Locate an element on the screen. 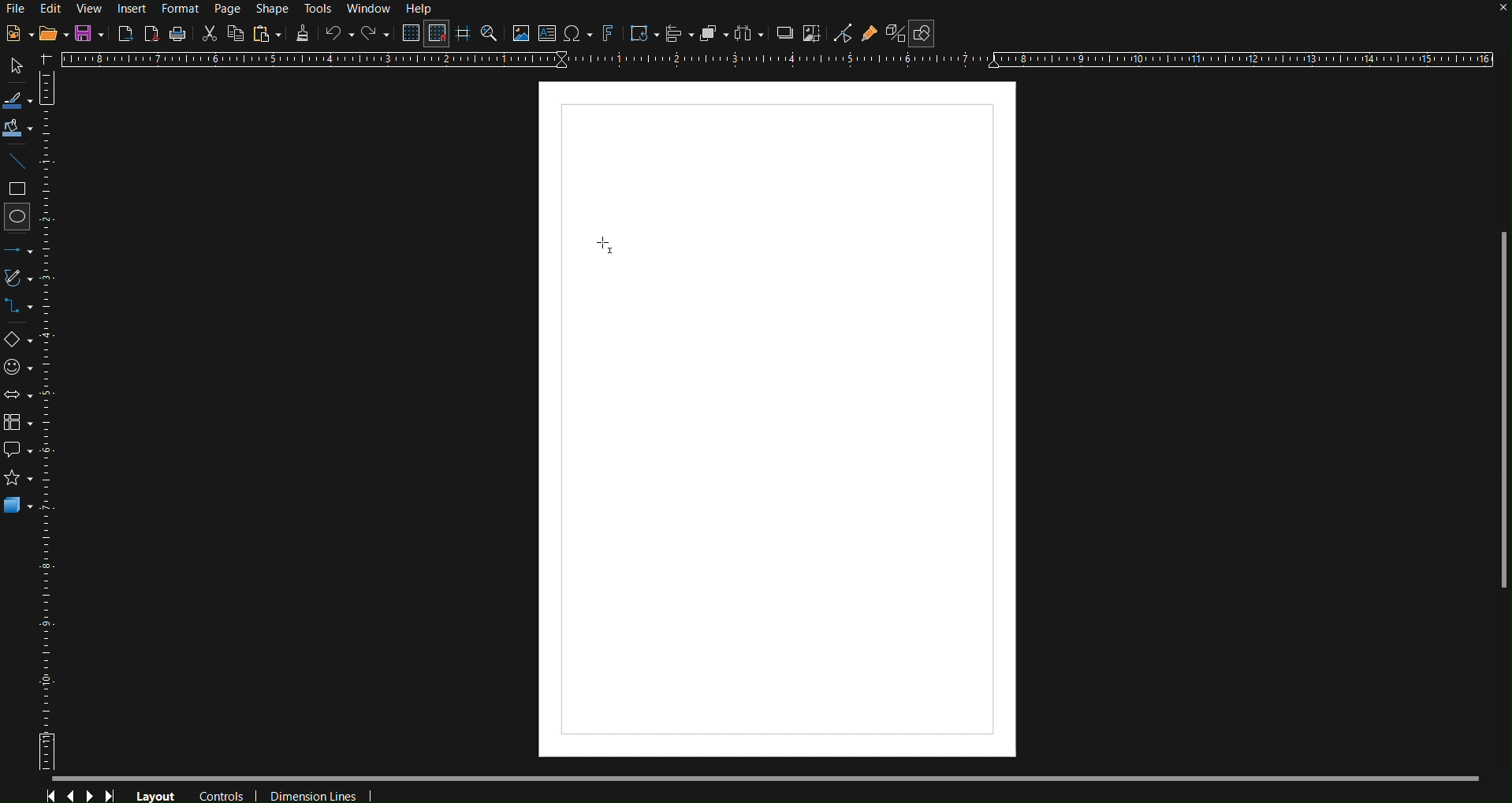  Vertical Ruler is located at coordinates (56, 429).